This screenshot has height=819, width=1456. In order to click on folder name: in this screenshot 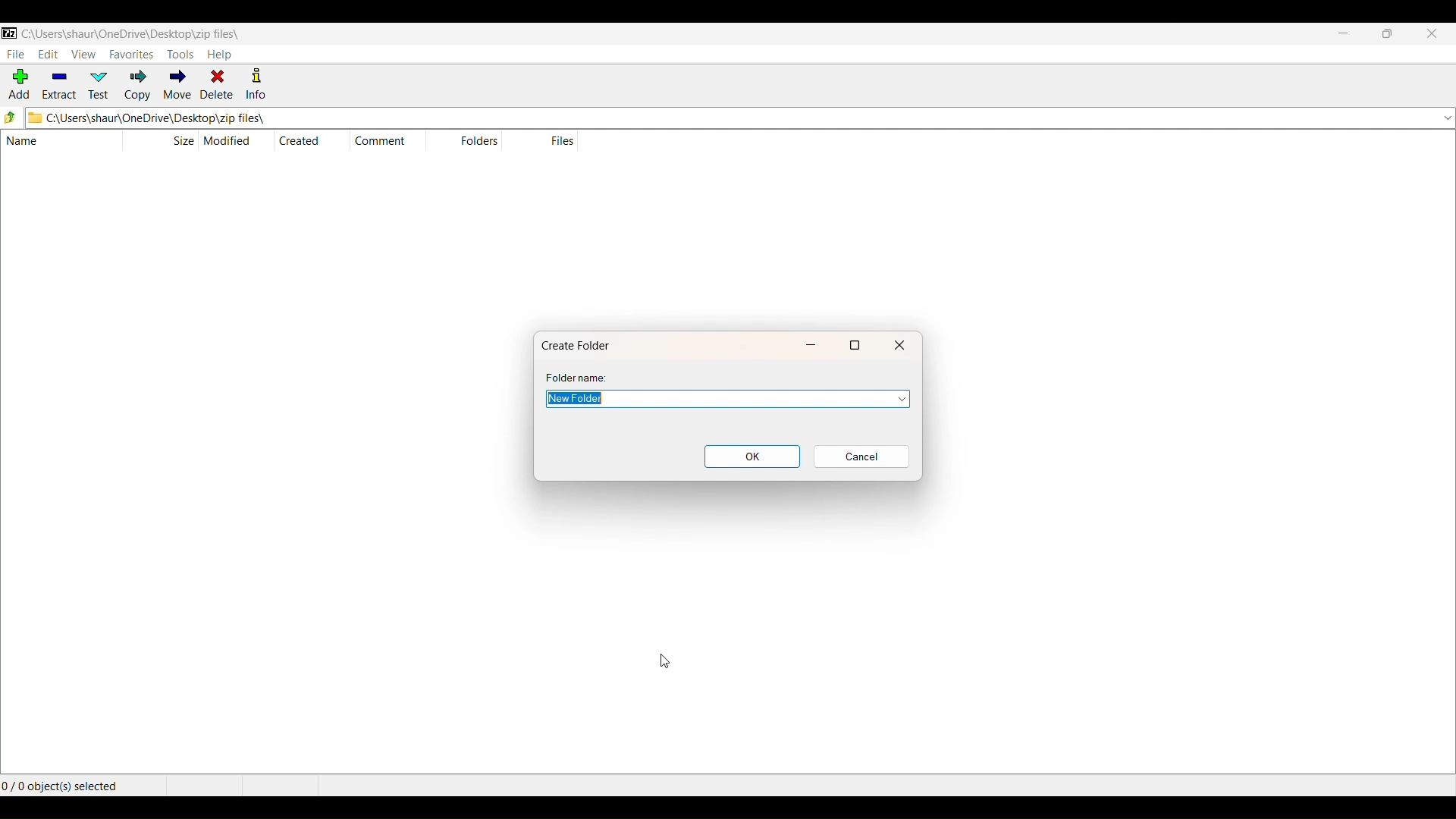, I will do `click(579, 378)`.